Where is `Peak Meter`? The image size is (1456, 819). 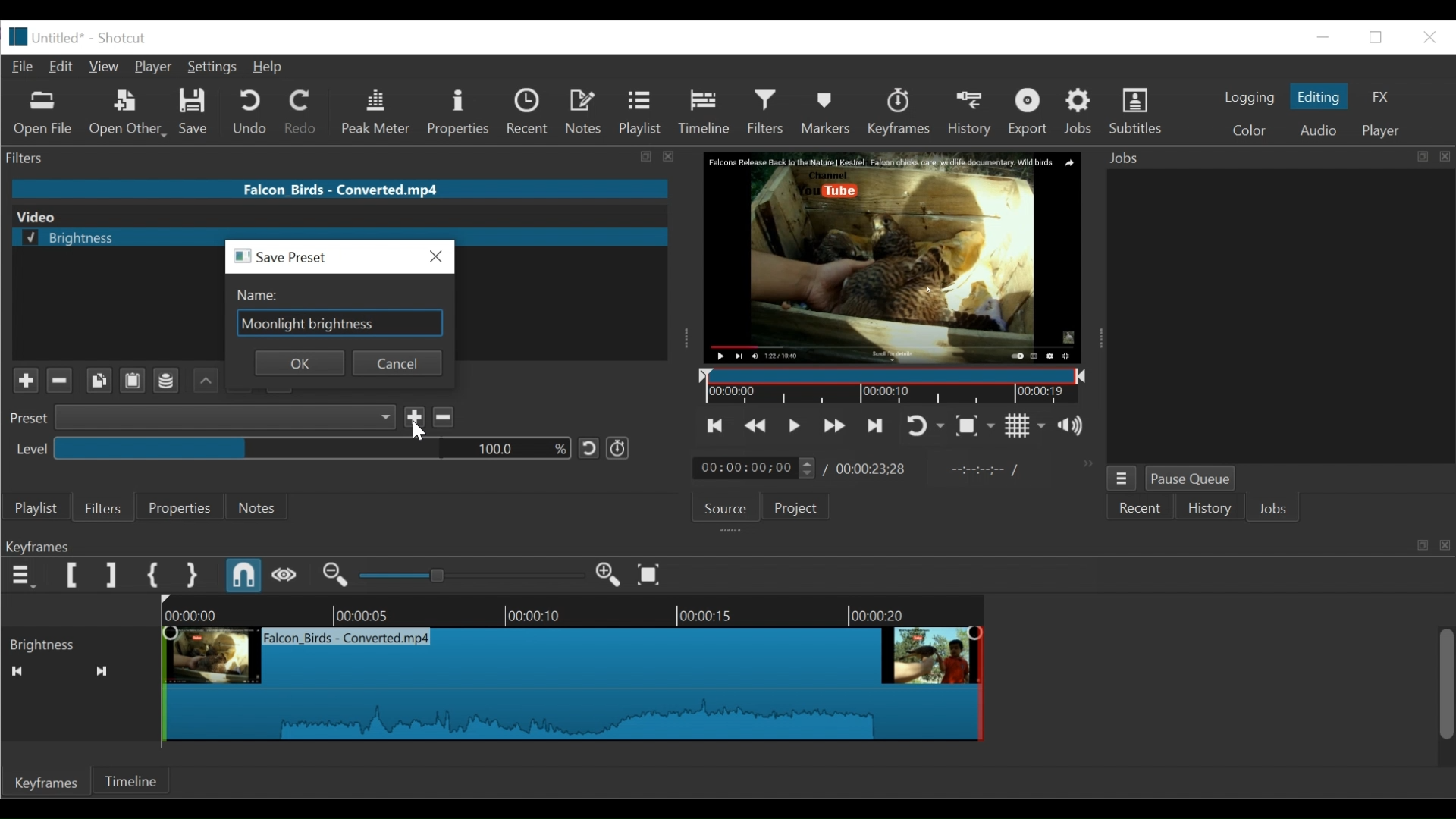
Peak Meter is located at coordinates (376, 113).